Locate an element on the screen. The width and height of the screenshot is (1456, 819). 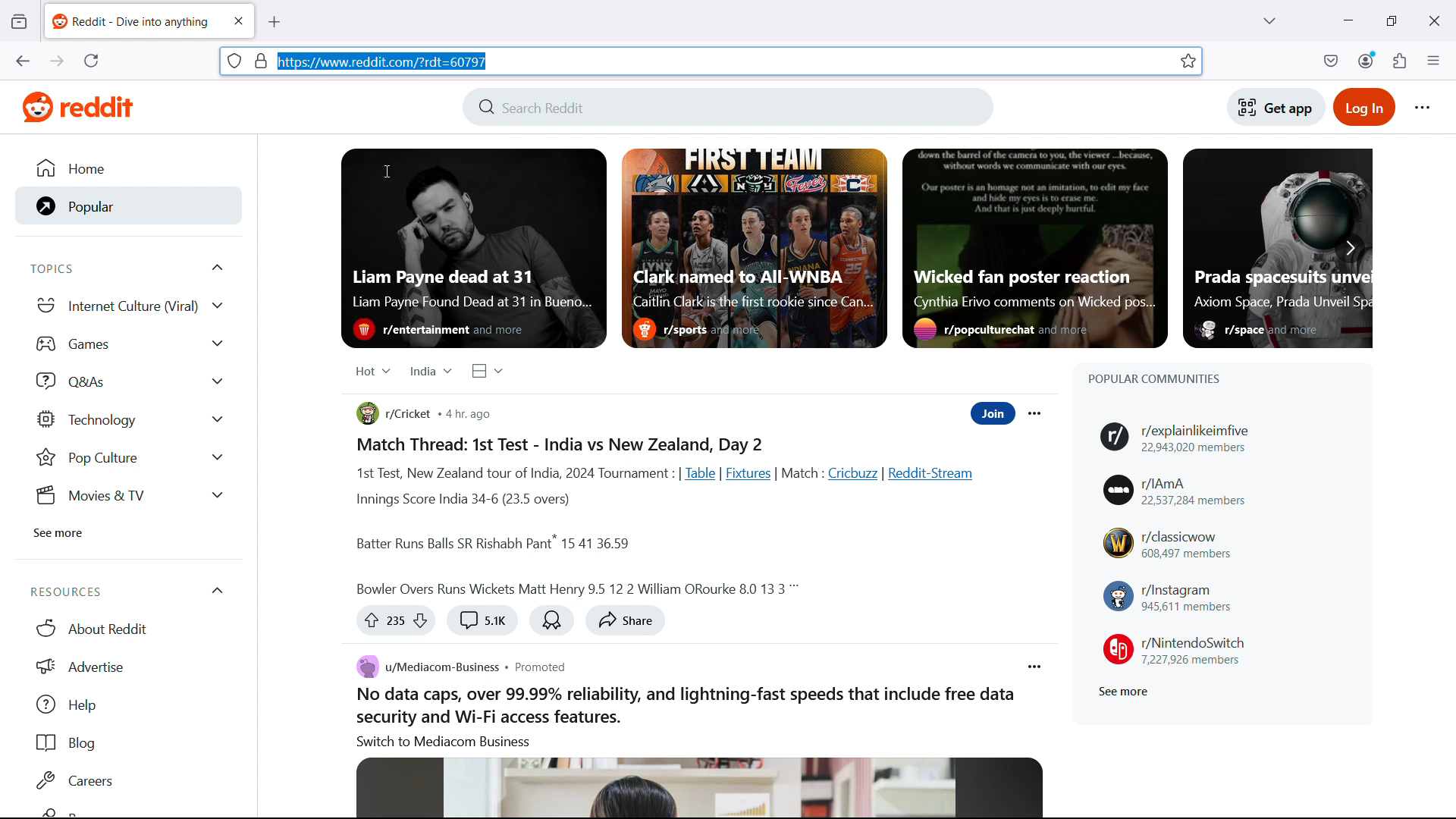
maximize is located at coordinates (1391, 19).